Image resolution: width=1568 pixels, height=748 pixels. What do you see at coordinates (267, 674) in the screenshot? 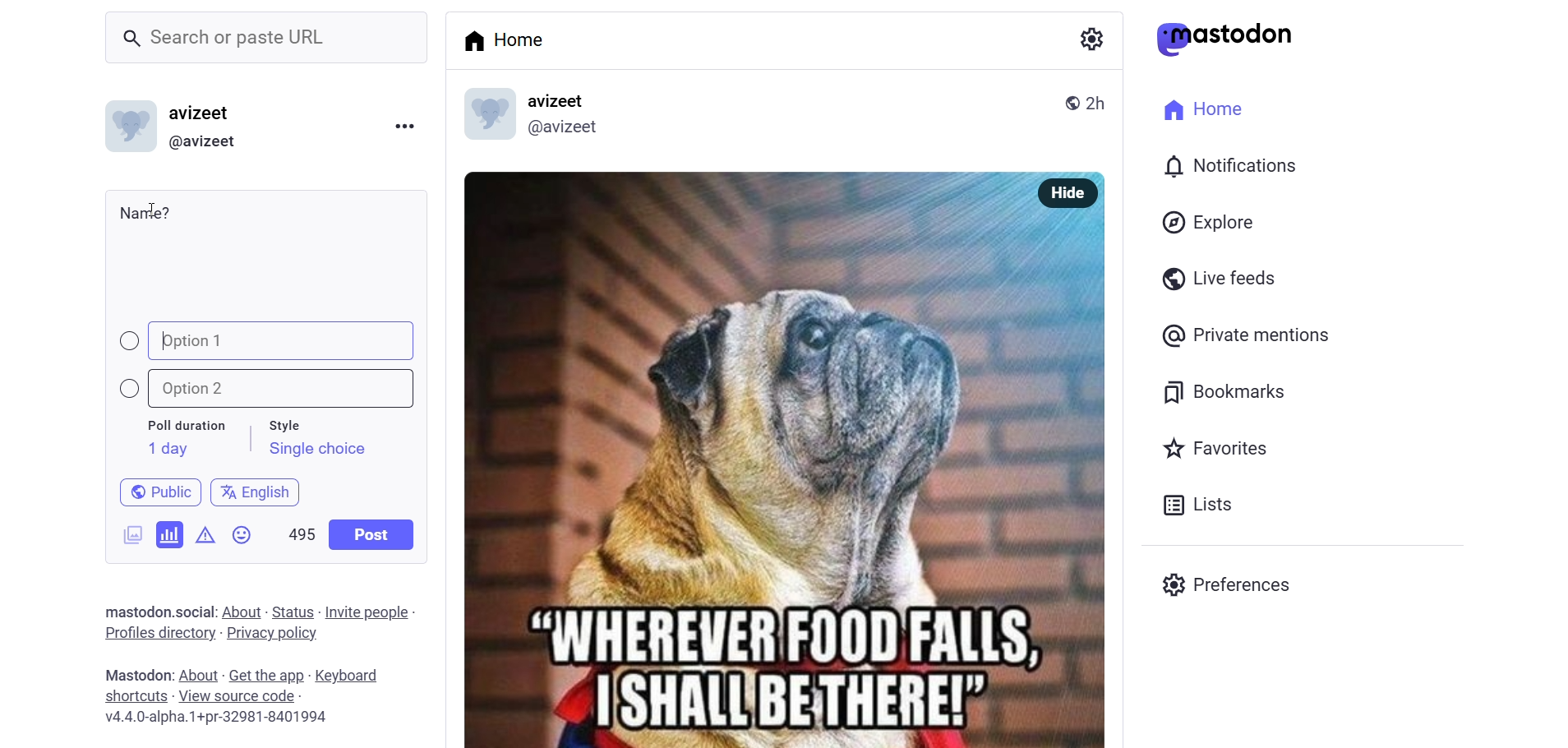
I see `get the app` at bounding box center [267, 674].